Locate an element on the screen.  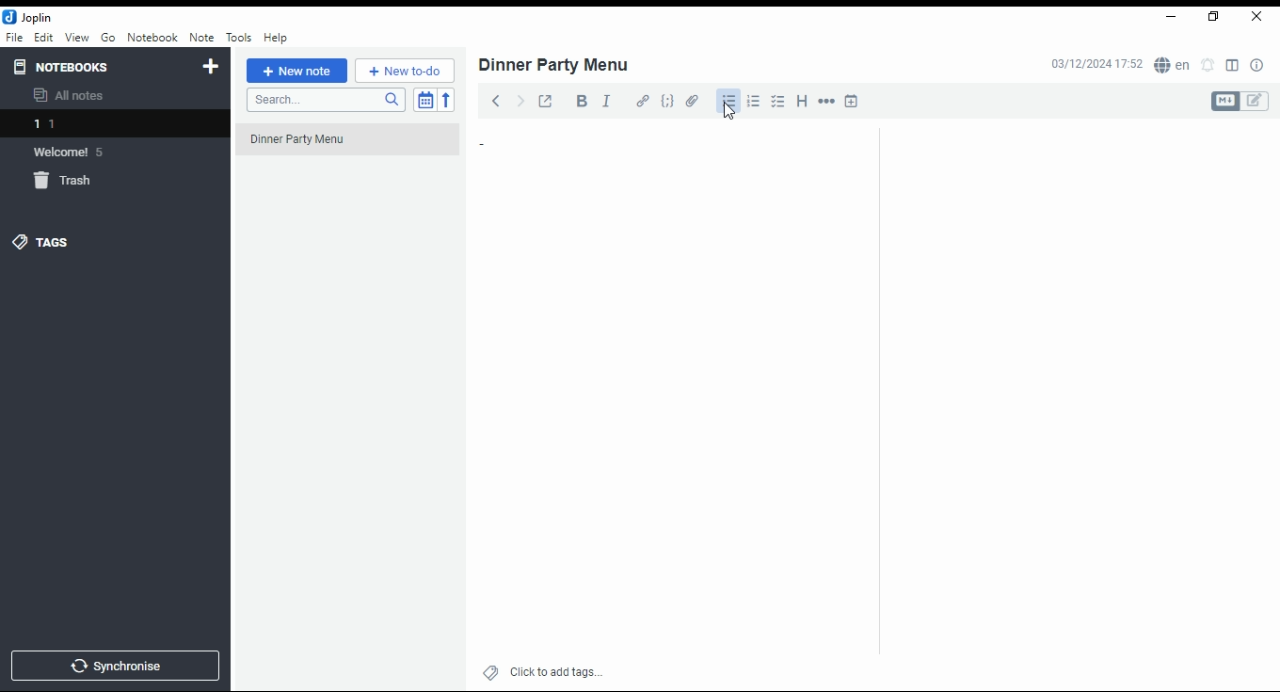
numbered list is located at coordinates (756, 101).